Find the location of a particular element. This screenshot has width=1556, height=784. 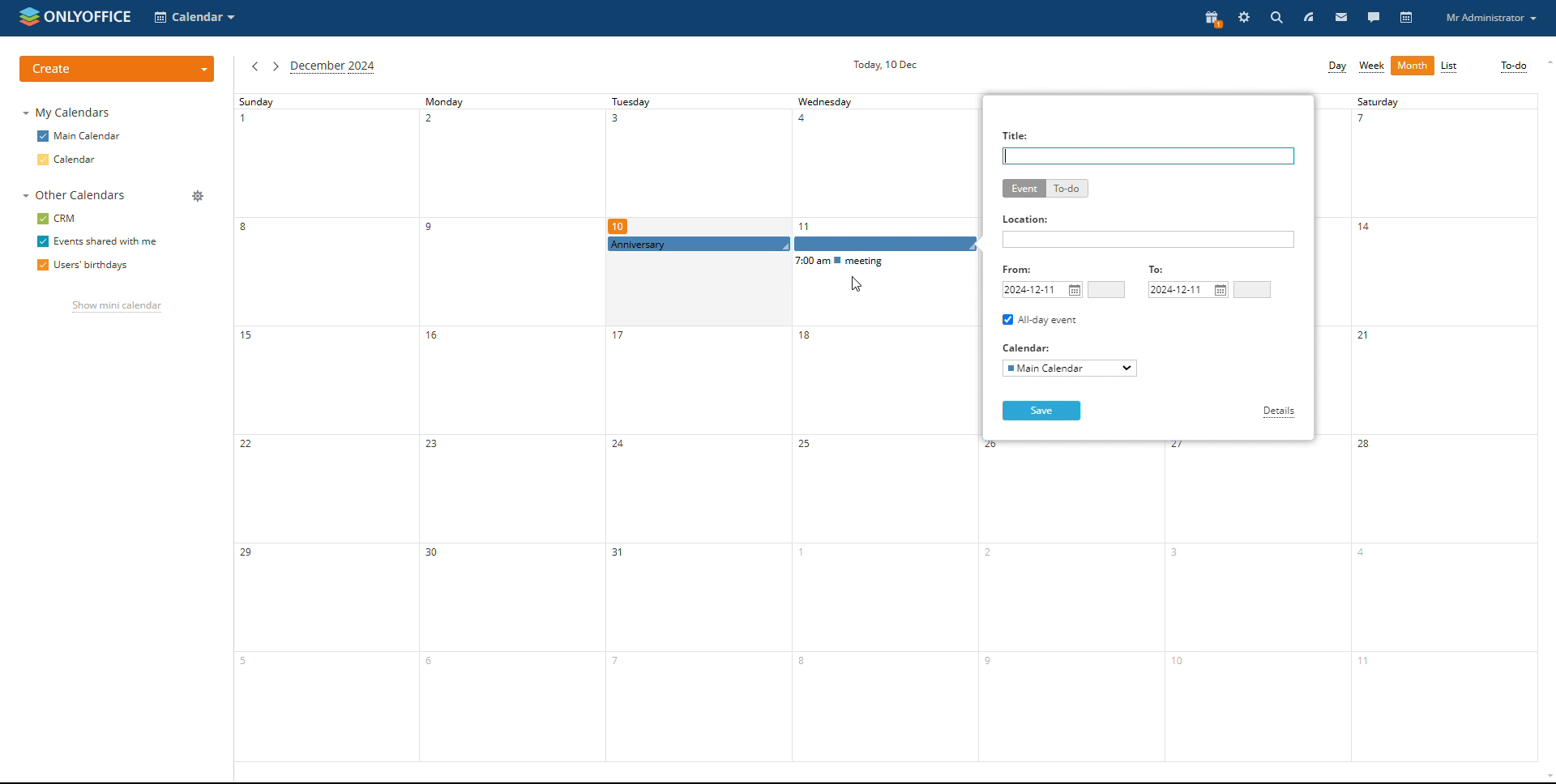

event is located at coordinates (1024, 189).